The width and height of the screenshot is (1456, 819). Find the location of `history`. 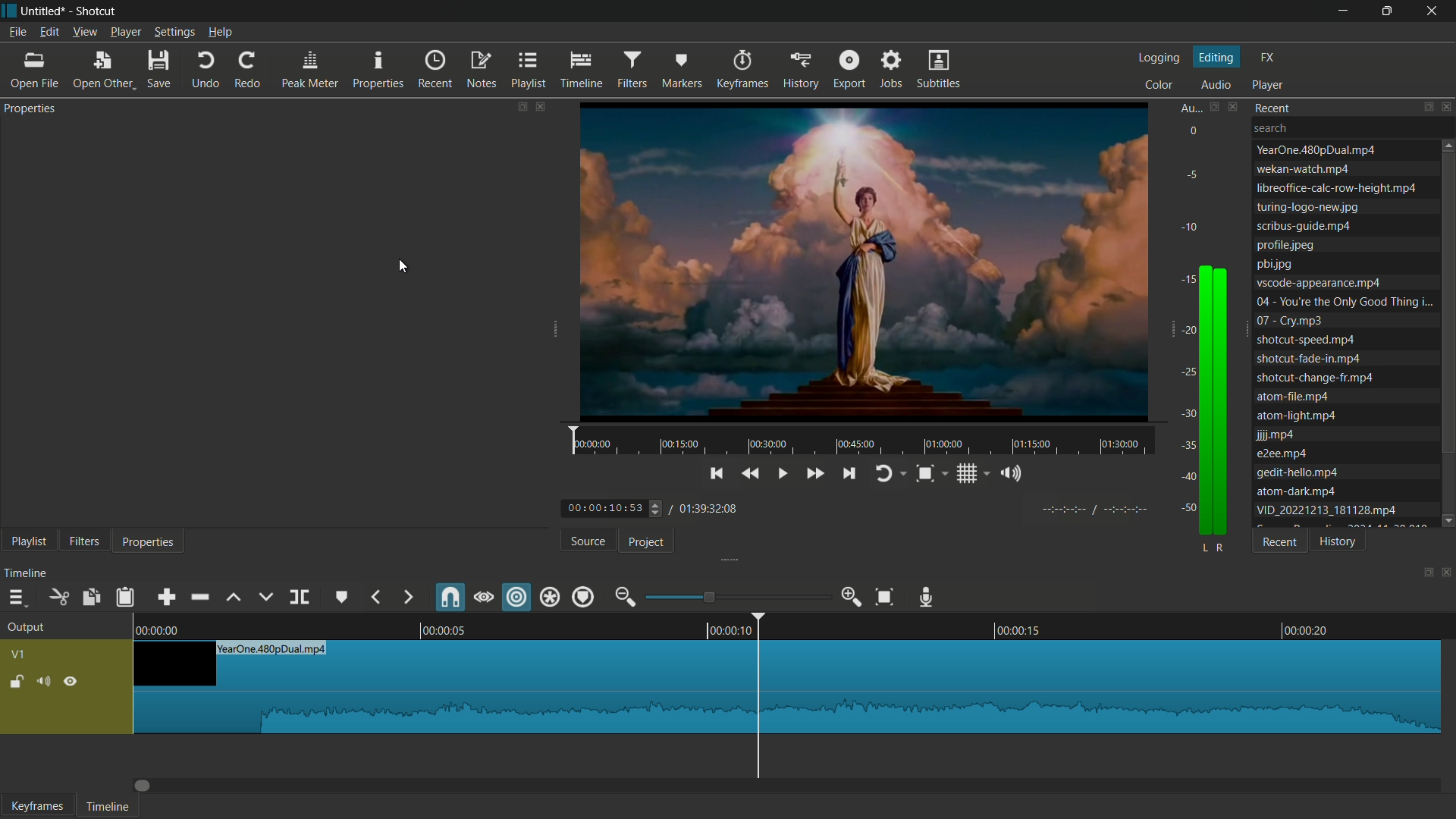

history is located at coordinates (1338, 541).